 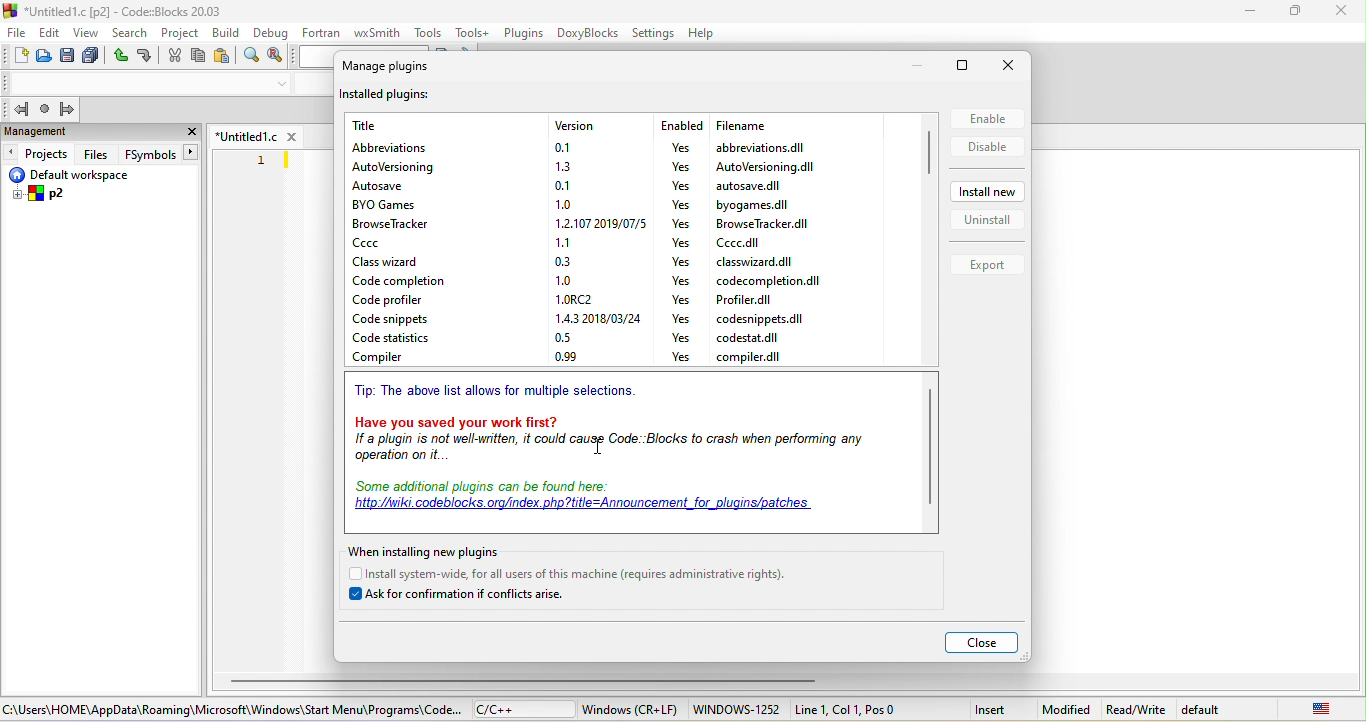 What do you see at coordinates (682, 222) in the screenshot?
I see `yes` at bounding box center [682, 222].